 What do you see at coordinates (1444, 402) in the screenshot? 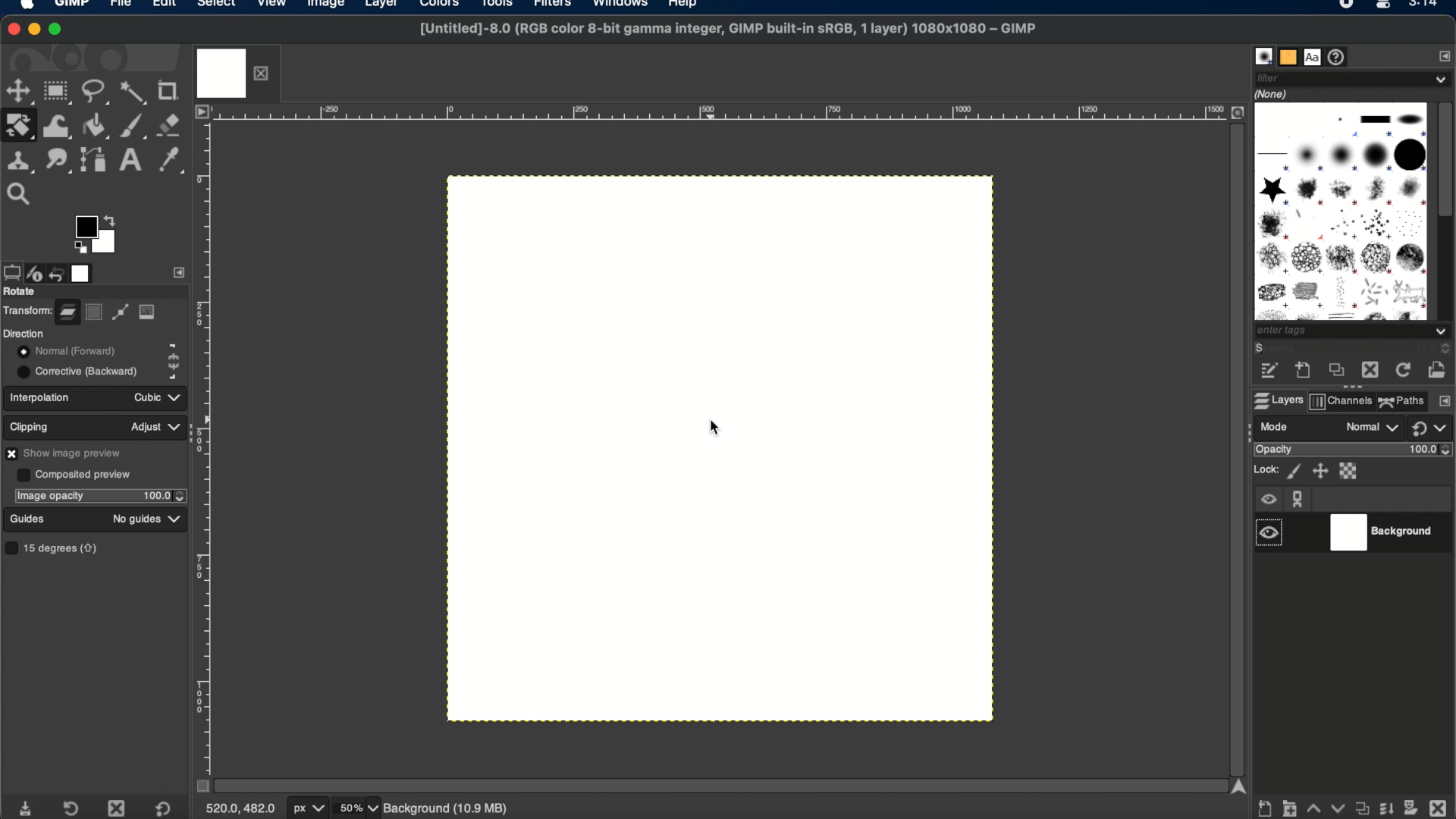
I see `configure this tab` at bounding box center [1444, 402].